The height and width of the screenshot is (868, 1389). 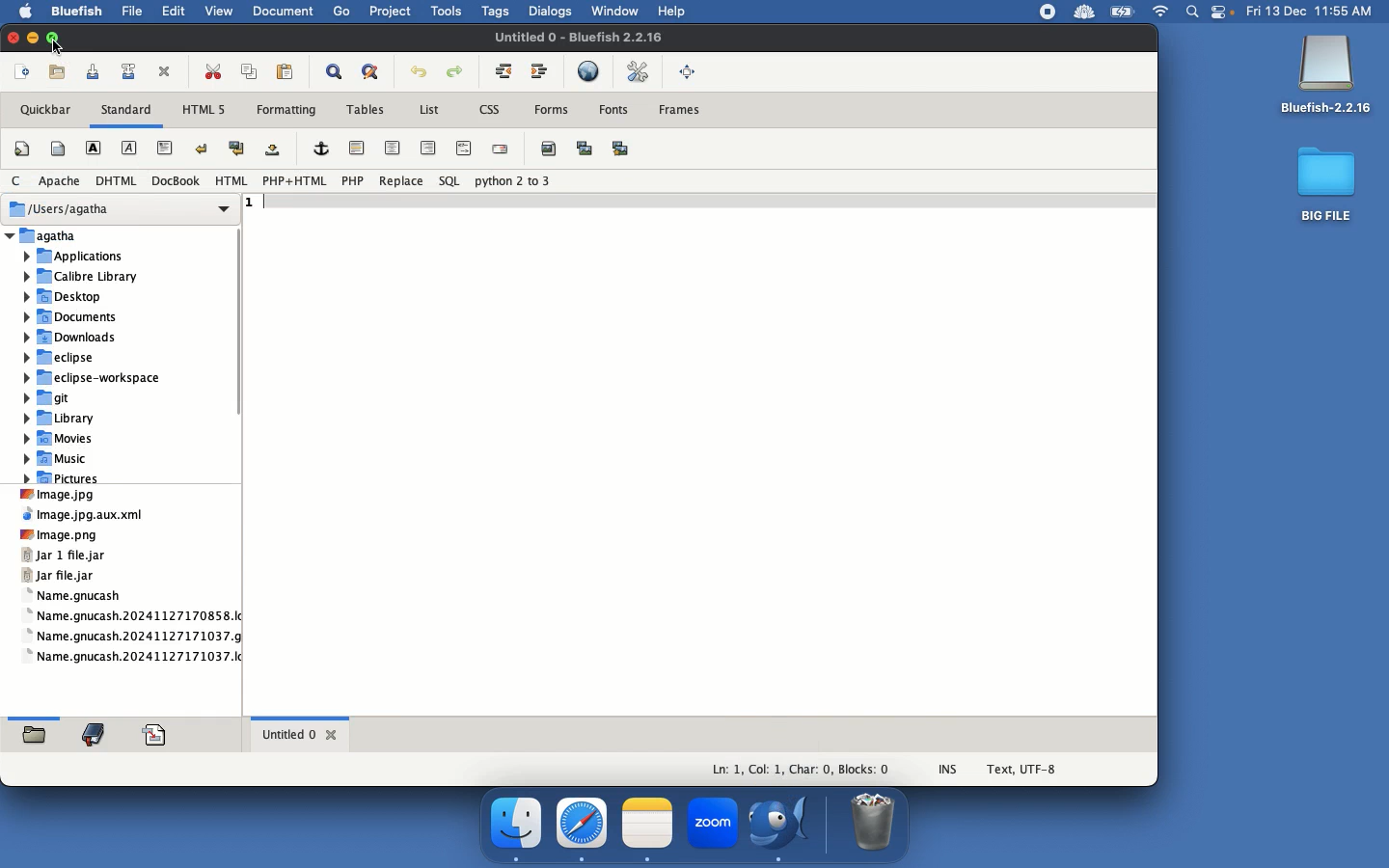 I want to click on Date time, so click(x=1316, y=11).